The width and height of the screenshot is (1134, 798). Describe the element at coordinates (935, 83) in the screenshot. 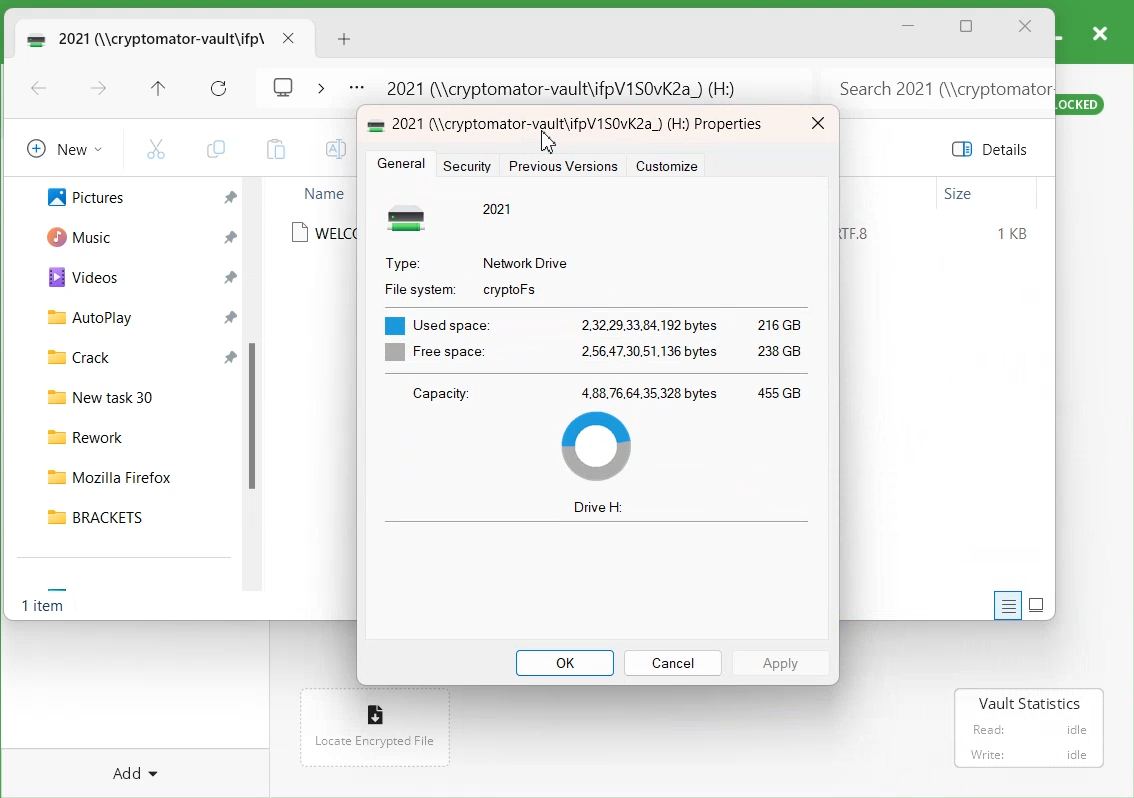

I see `Search bar` at that location.